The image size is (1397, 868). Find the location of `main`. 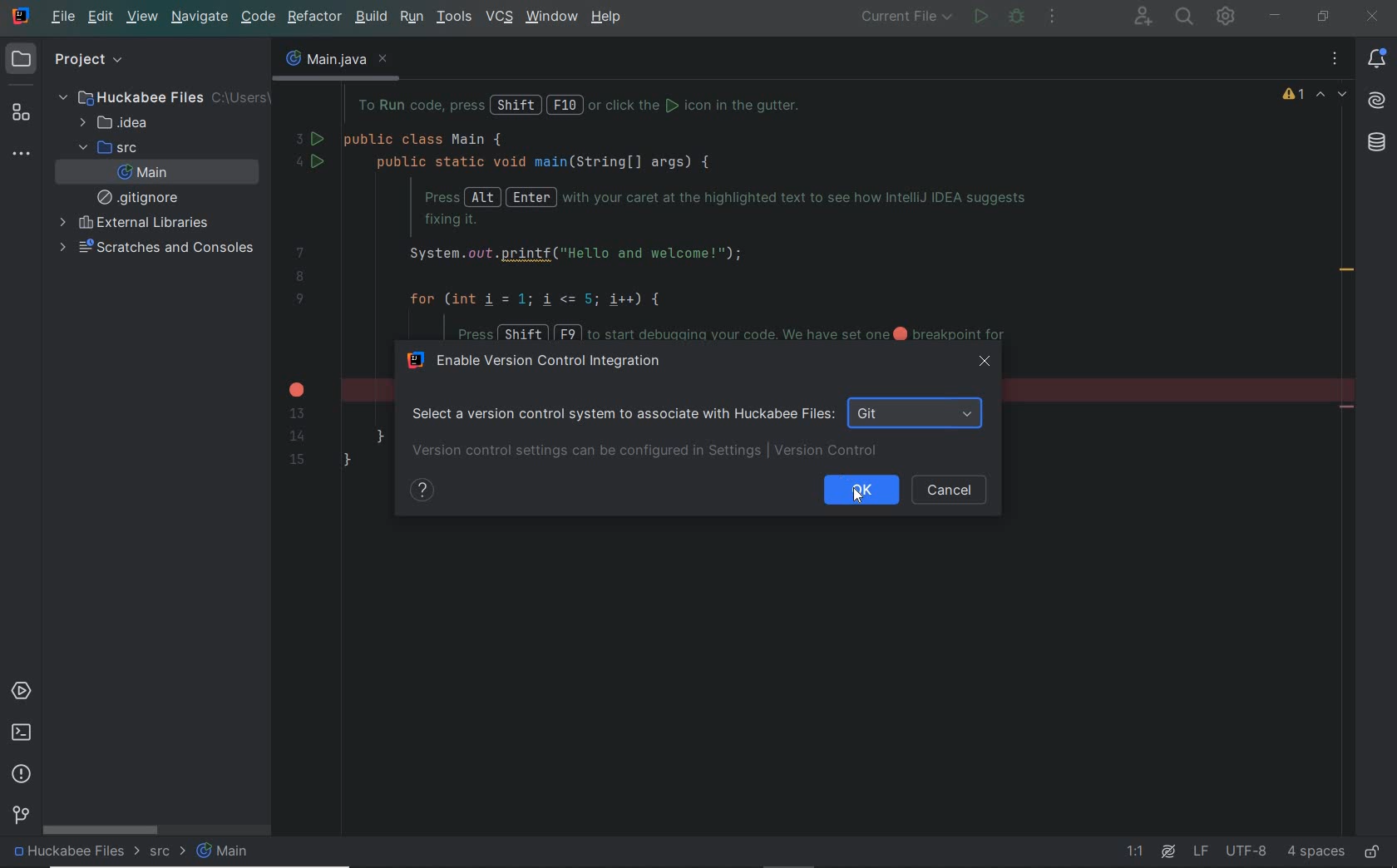

main is located at coordinates (143, 173).